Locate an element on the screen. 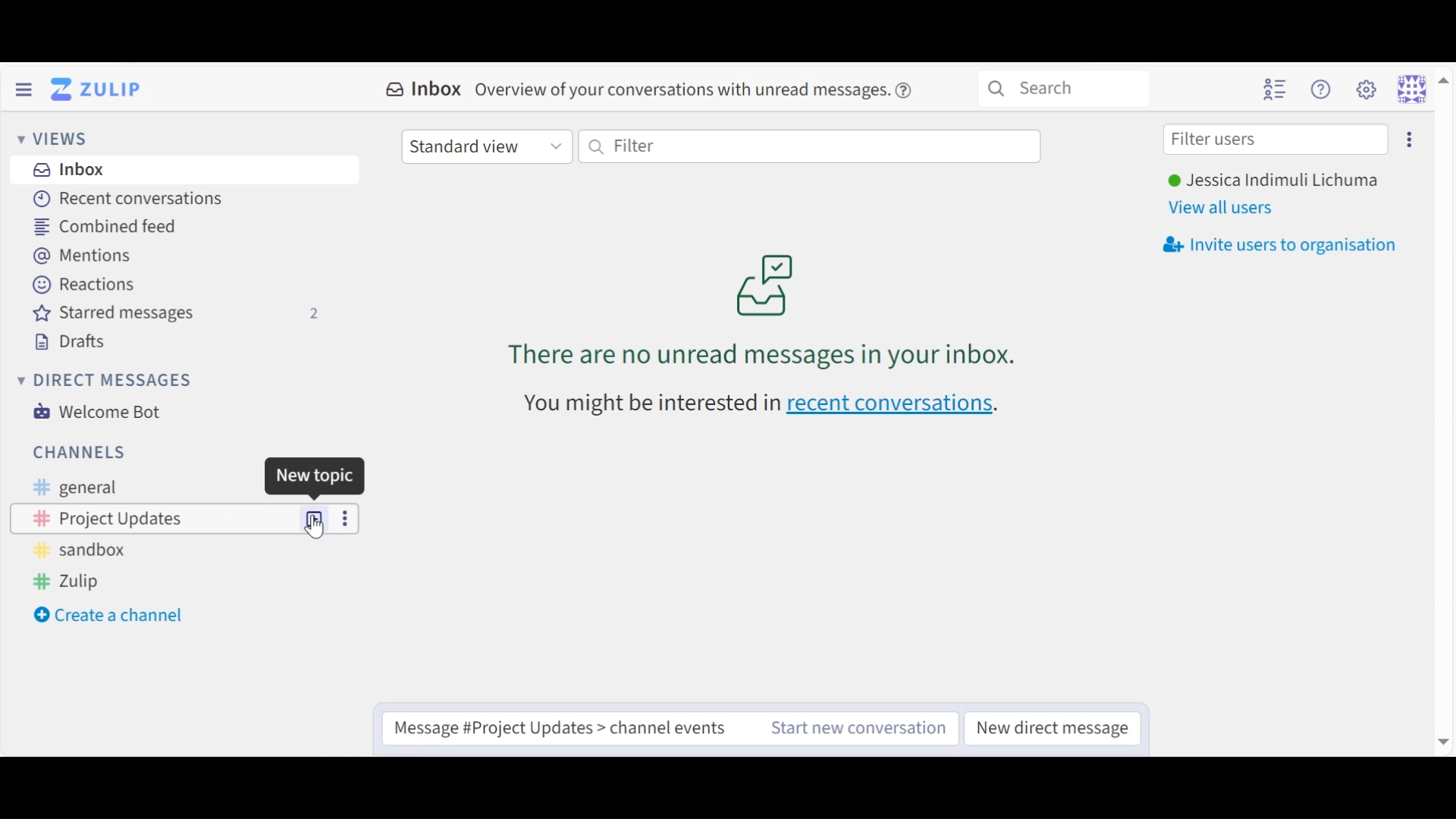 Image resolution: width=1456 pixels, height=819 pixels. Invite users too organisation is located at coordinates (1408, 138).